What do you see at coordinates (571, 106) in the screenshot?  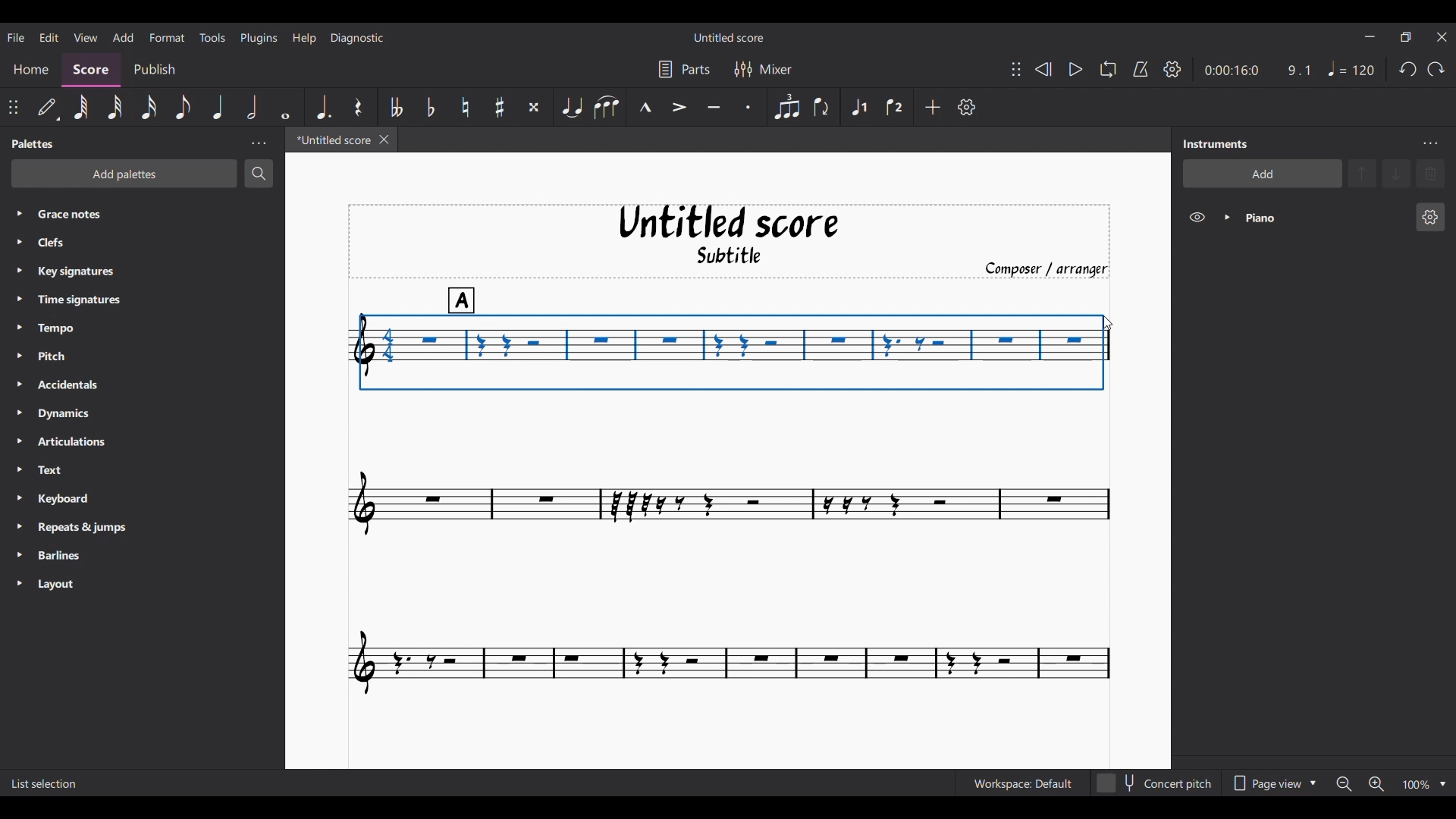 I see `Tie` at bounding box center [571, 106].